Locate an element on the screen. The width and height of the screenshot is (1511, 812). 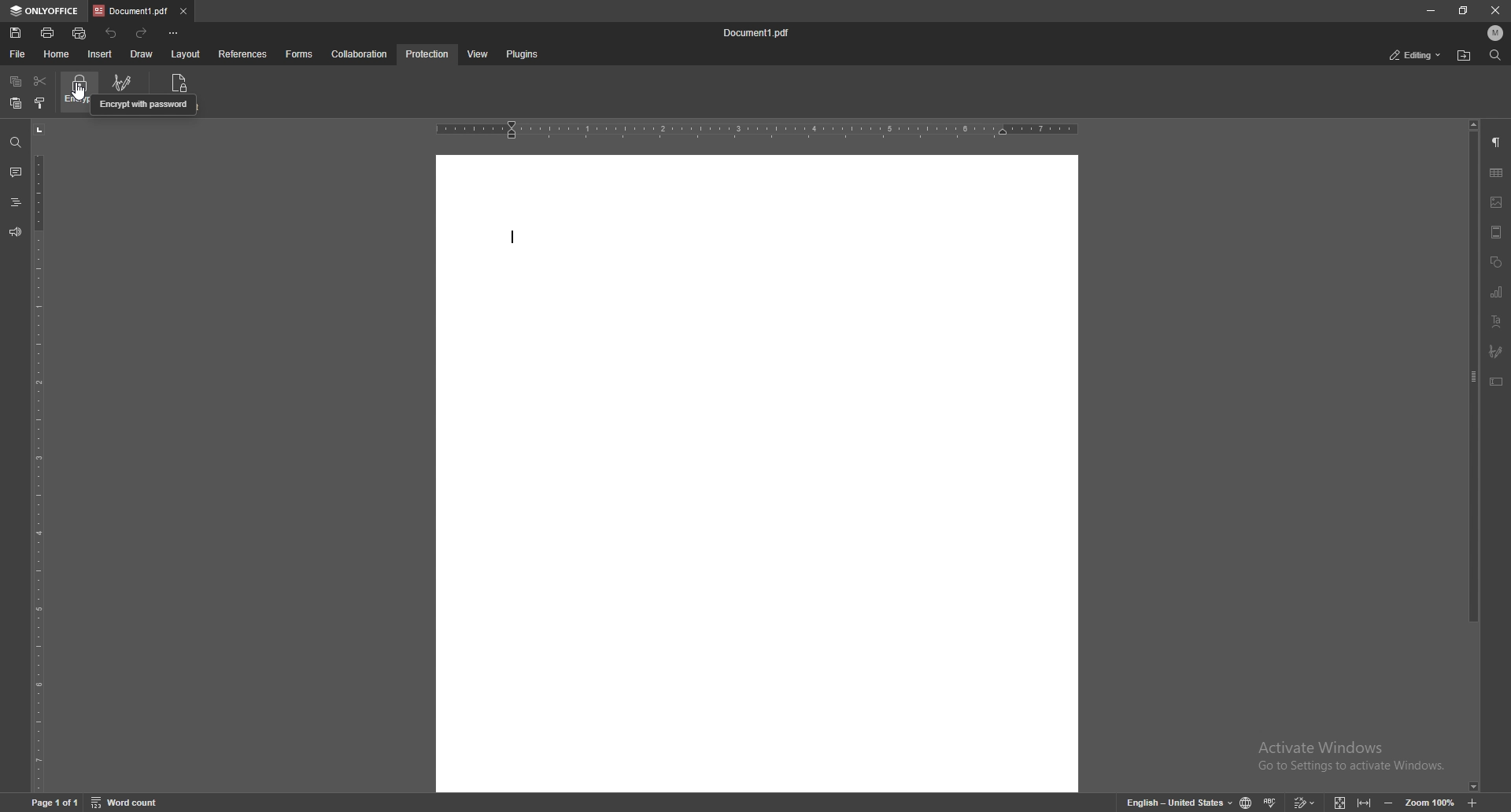
forms is located at coordinates (300, 54).